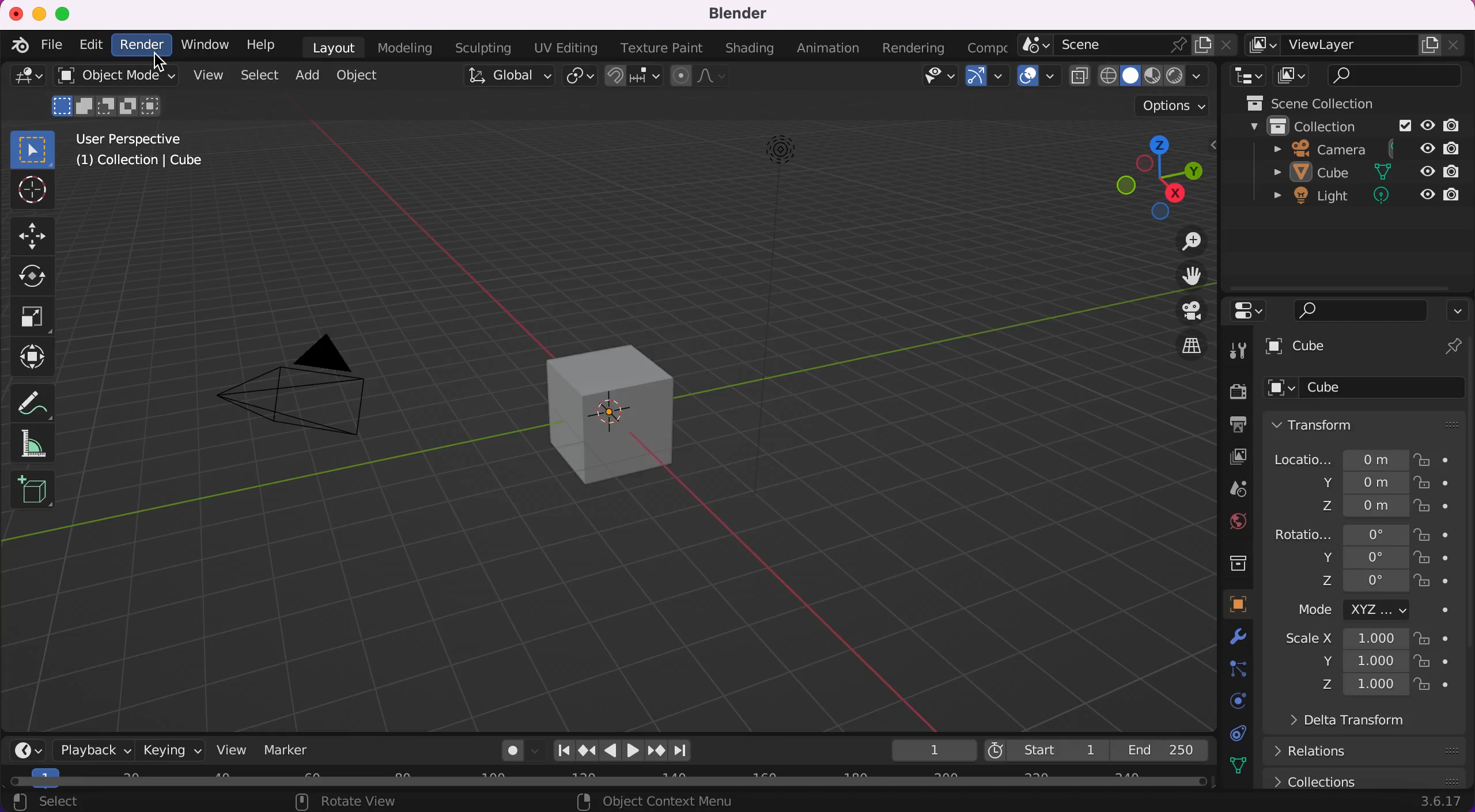  Describe the element at coordinates (636, 751) in the screenshot. I see `Play animation` at that location.